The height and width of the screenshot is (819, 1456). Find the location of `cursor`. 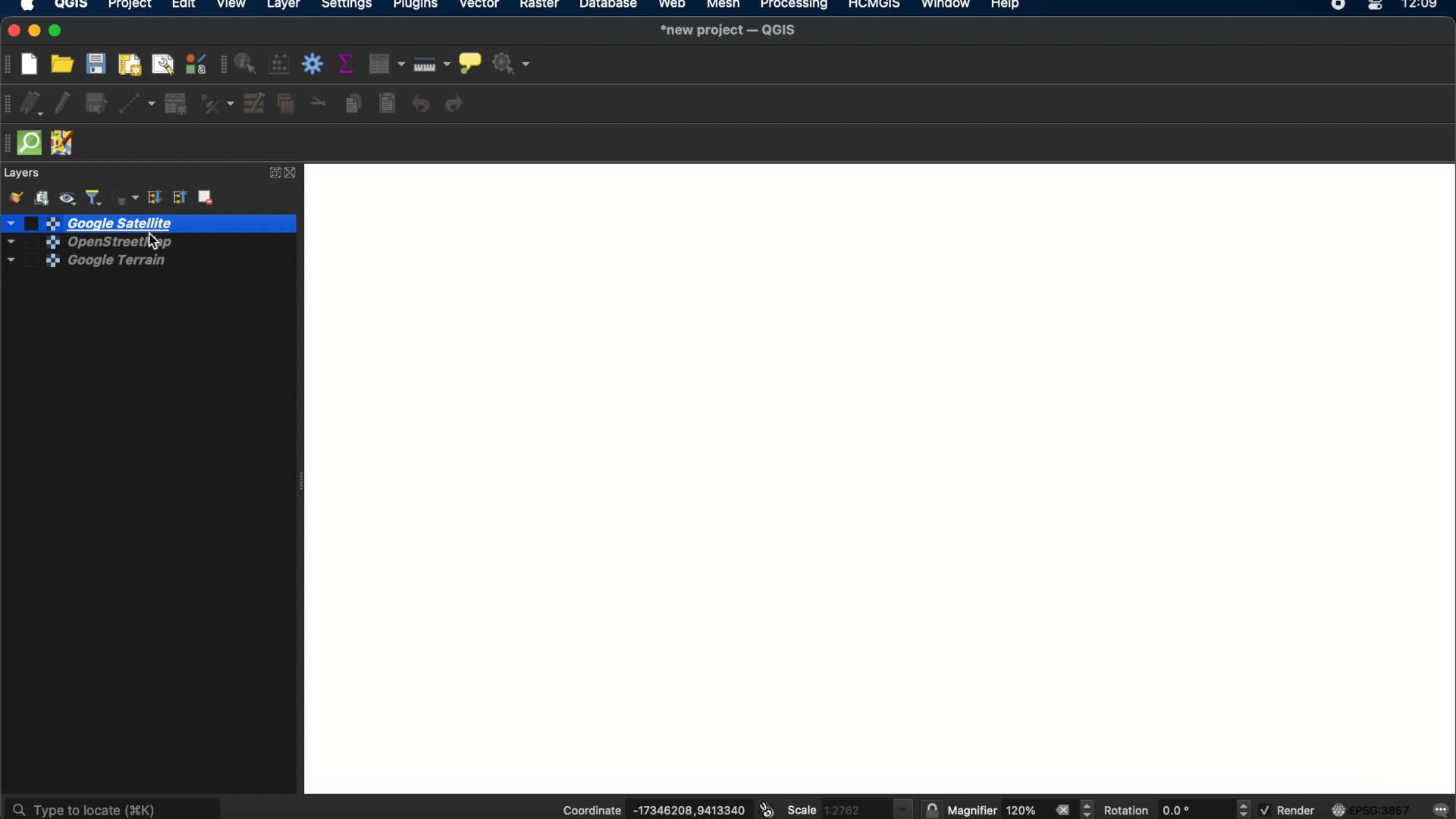

cursor is located at coordinates (152, 241).